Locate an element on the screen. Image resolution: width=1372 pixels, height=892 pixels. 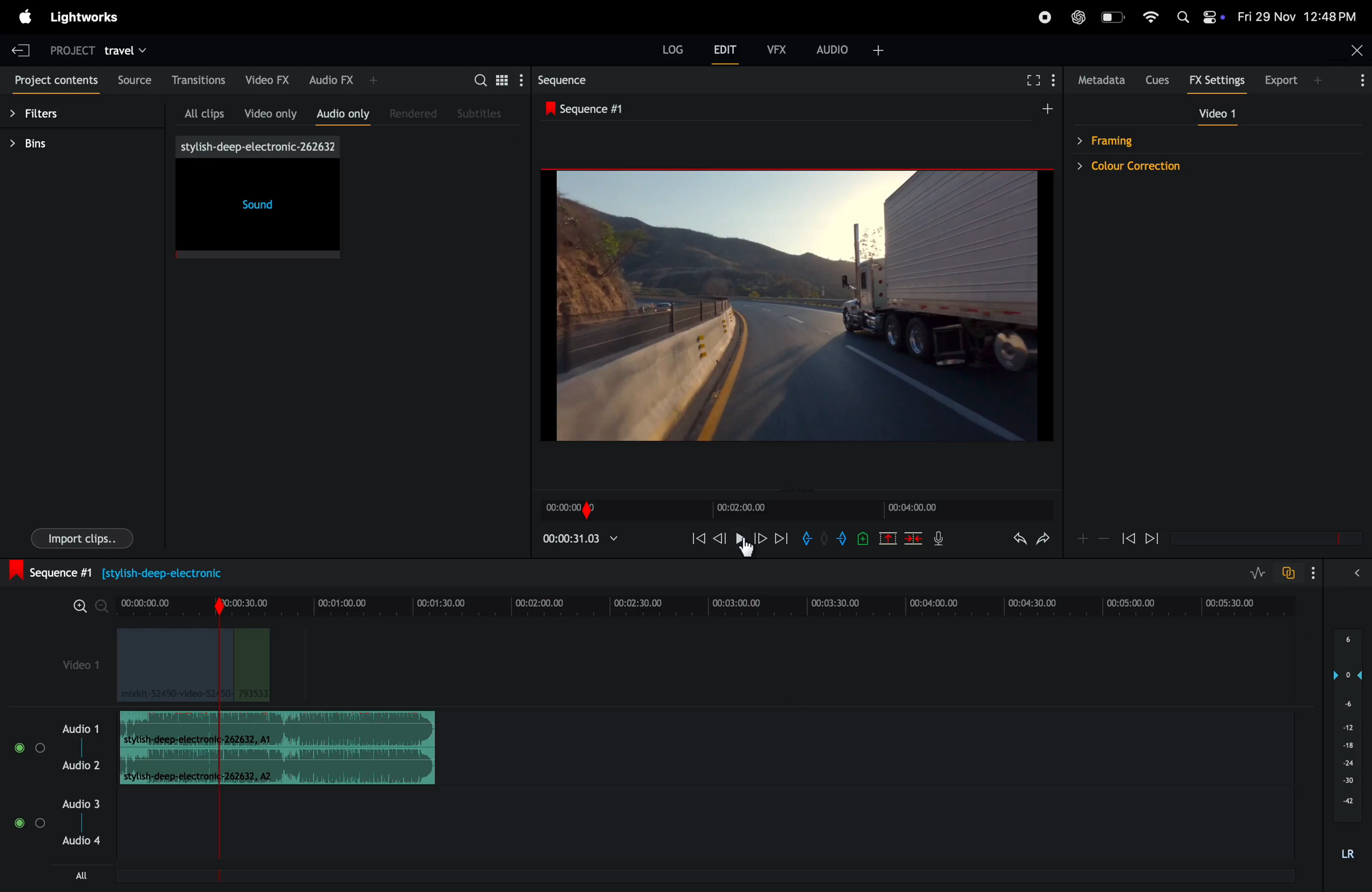
add out mark is located at coordinates (843, 538).